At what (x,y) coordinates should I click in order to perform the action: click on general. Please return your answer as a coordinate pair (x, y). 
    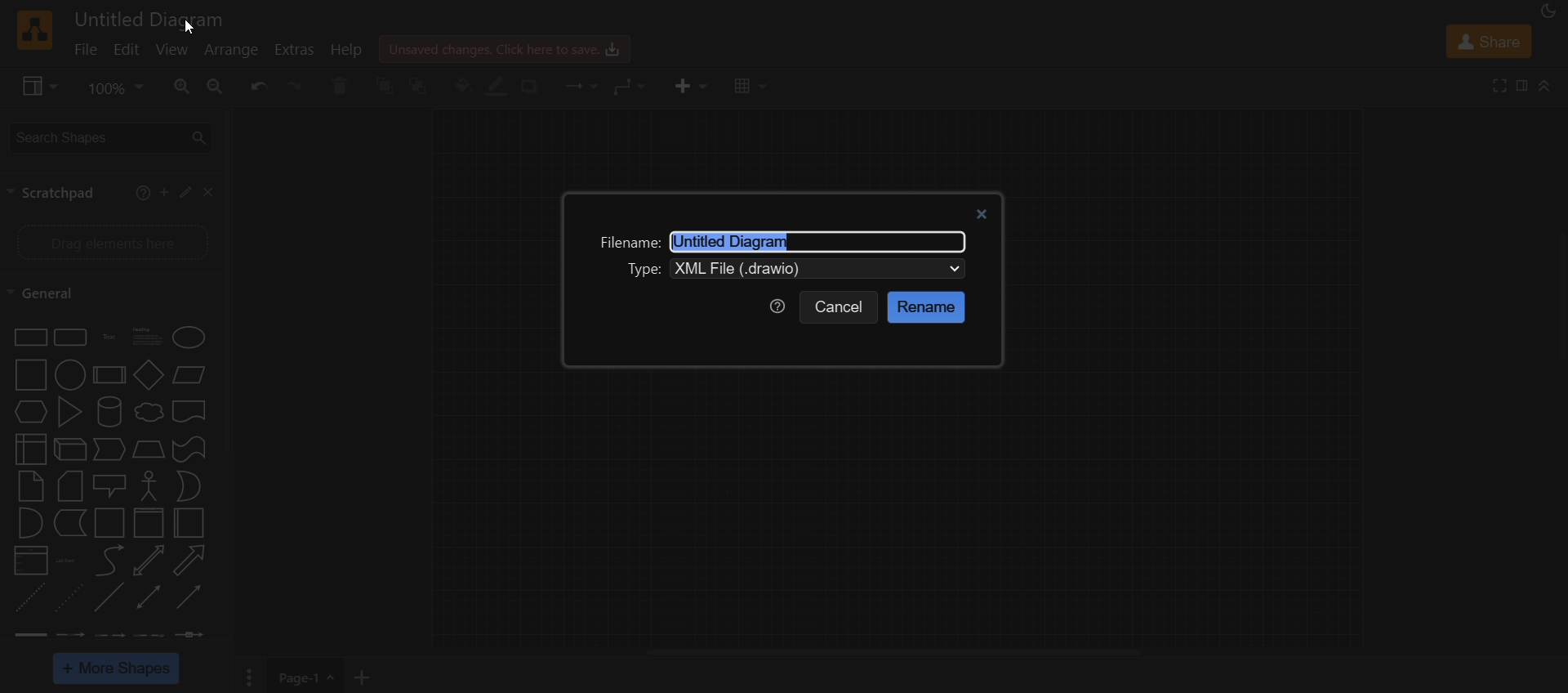
    Looking at the image, I should click on (50, 292).